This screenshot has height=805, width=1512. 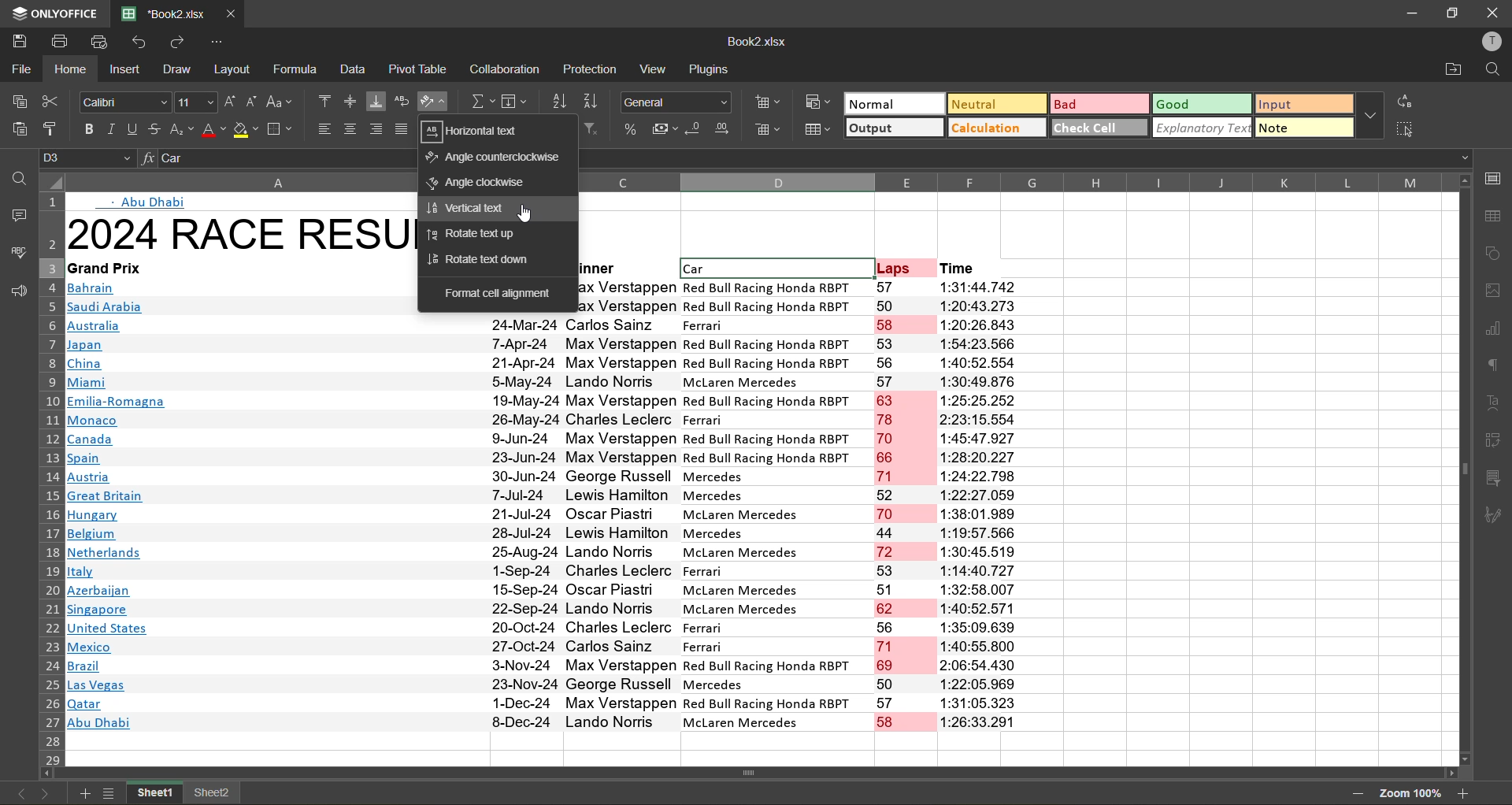 What do you see at coordinates (1204, 127) in the screenshot?
I see `explanatory text` at bounding box center [1204, 127].